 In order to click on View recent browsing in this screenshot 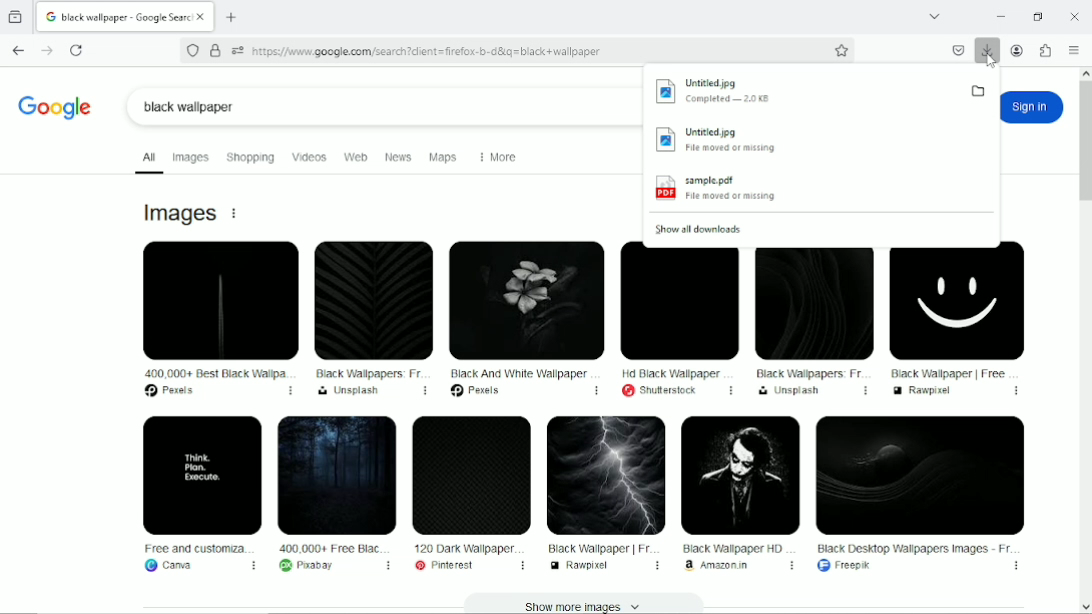, I will do `click(16, 16)`.